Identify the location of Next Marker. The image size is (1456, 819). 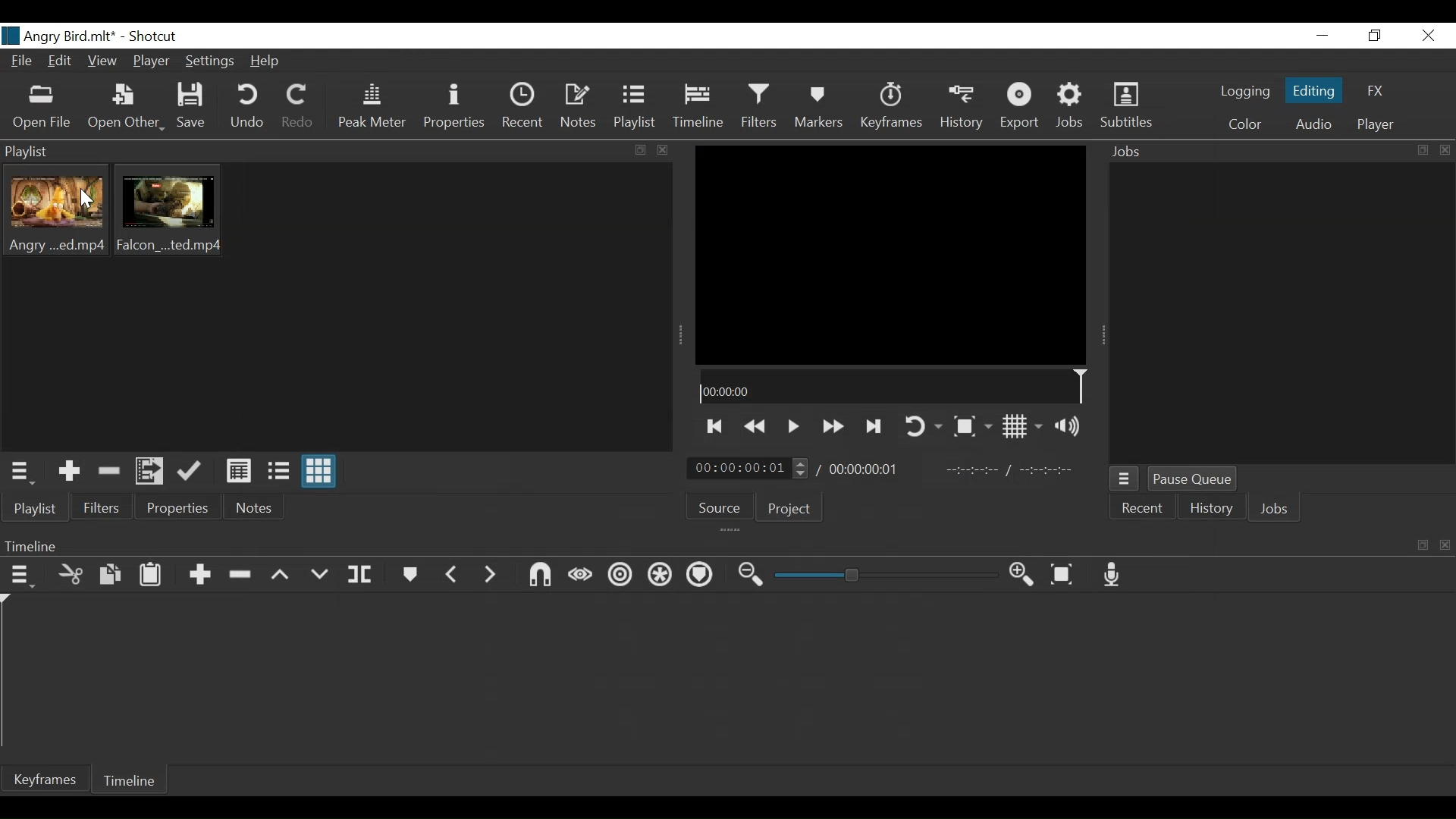
(491, 576).